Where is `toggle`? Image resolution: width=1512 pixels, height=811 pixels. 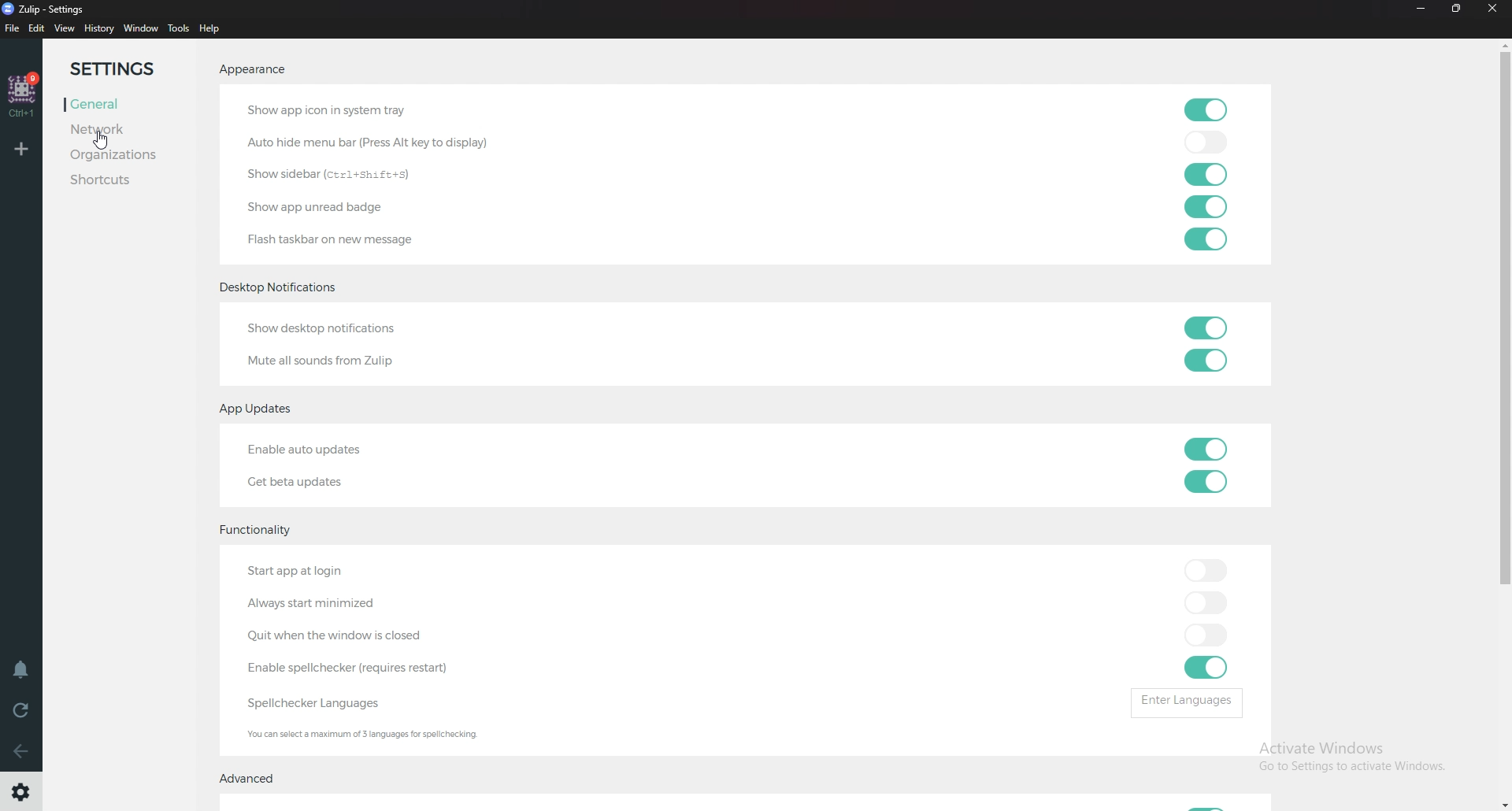
toggle is located at coordinates (1203, 175).